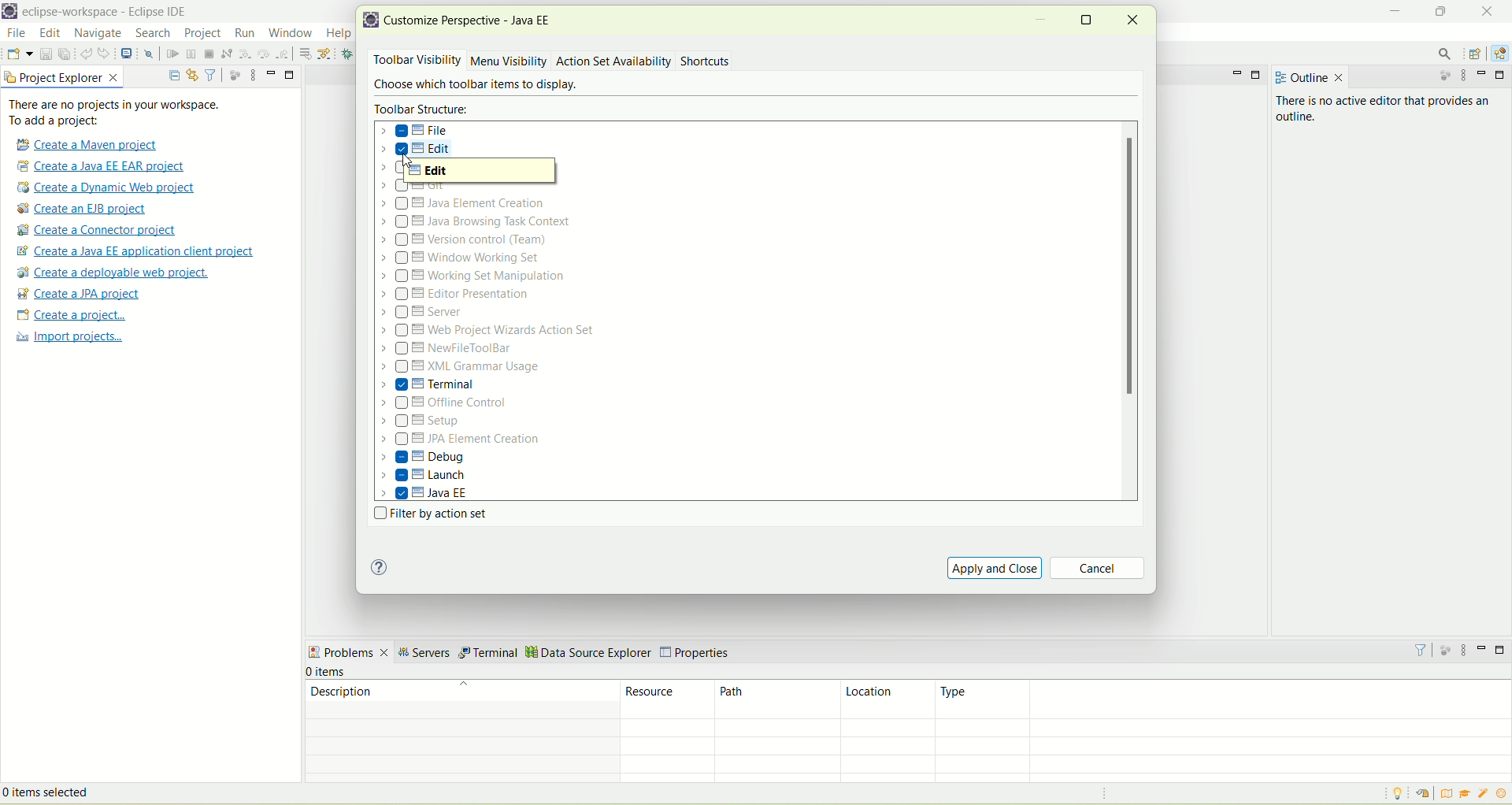 The image size is (1512, 805). What do you see at coordinates (472, 86) in the screenshot?
I see `toolbar items to display` at bounding box center [472, 86].